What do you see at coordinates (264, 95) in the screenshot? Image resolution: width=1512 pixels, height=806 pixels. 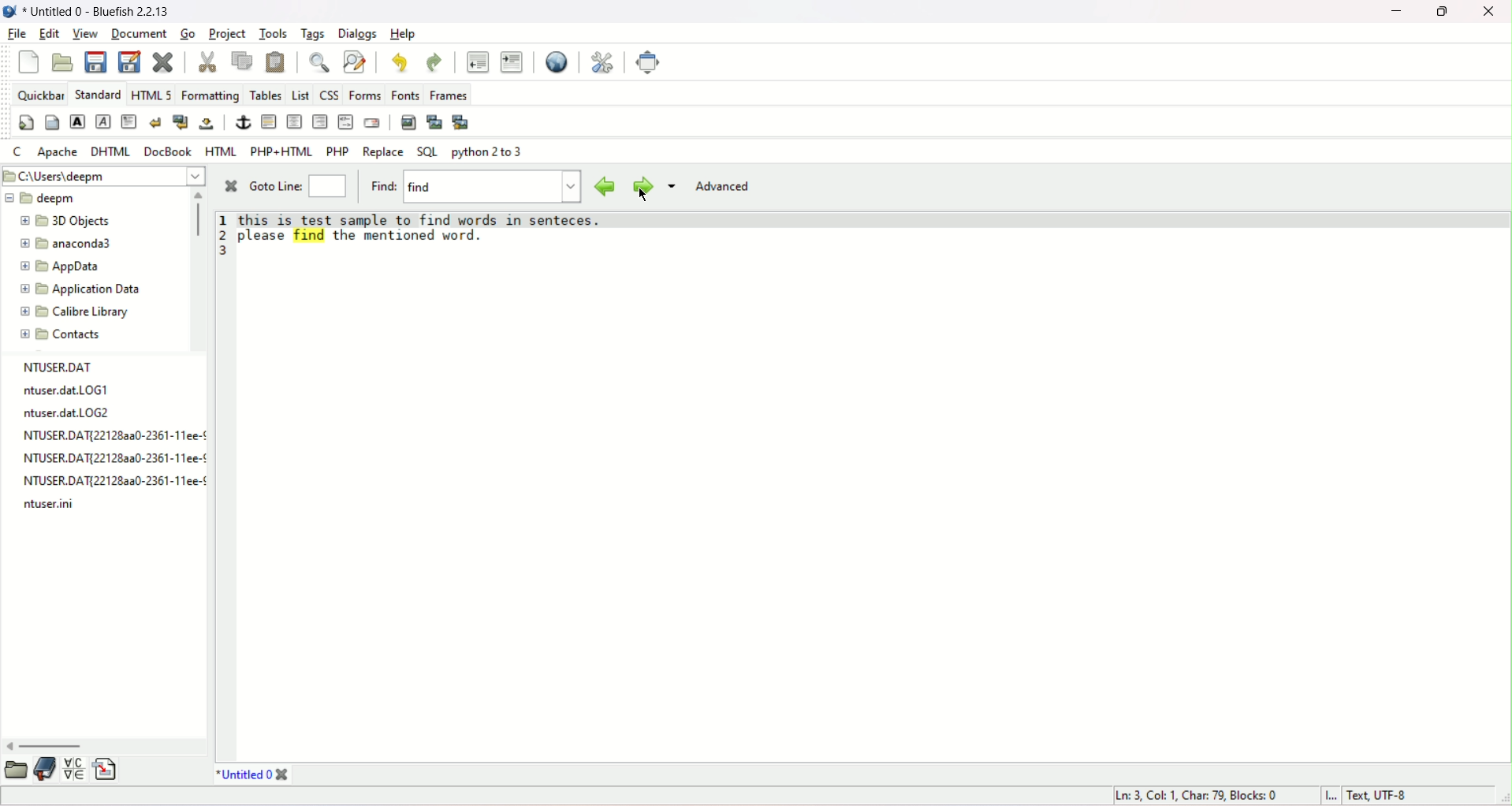 I see `tables` at bounding box center [264, 95].